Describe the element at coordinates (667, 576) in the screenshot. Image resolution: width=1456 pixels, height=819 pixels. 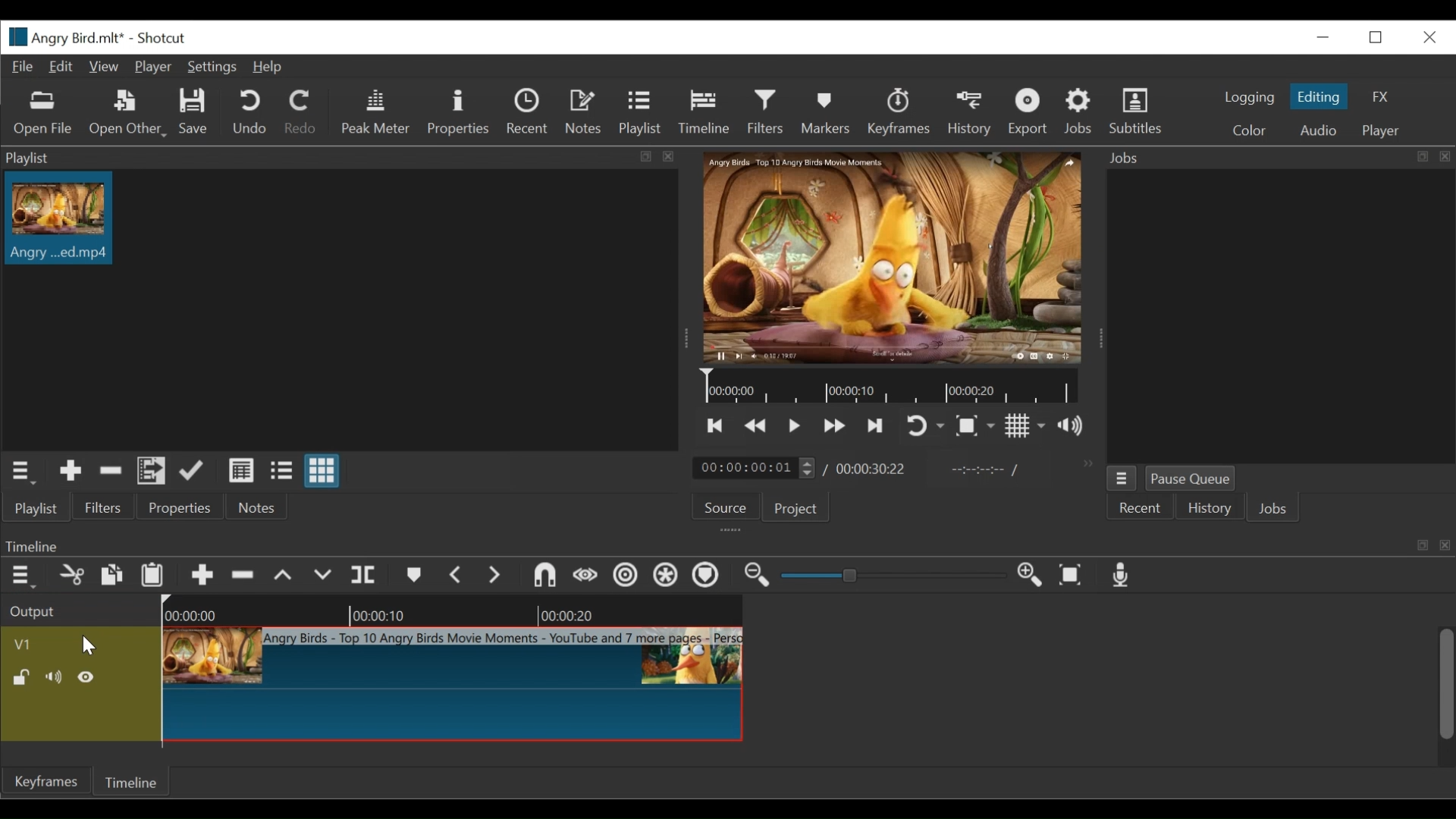
I see `Ripple all tracks` at that location.